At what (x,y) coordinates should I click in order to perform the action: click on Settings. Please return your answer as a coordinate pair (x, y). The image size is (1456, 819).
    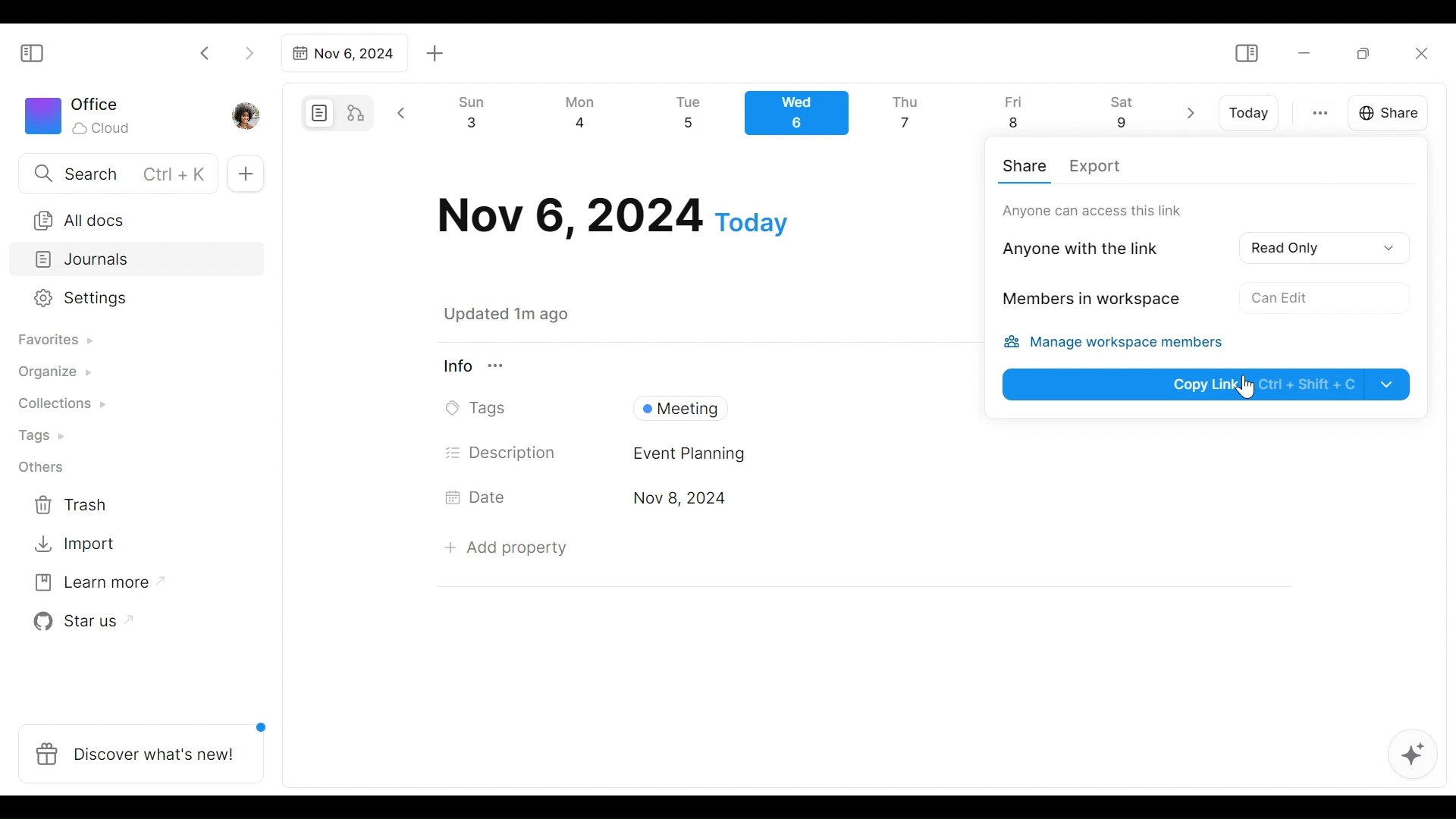
    Looking at the image, I should click on (125, 299).